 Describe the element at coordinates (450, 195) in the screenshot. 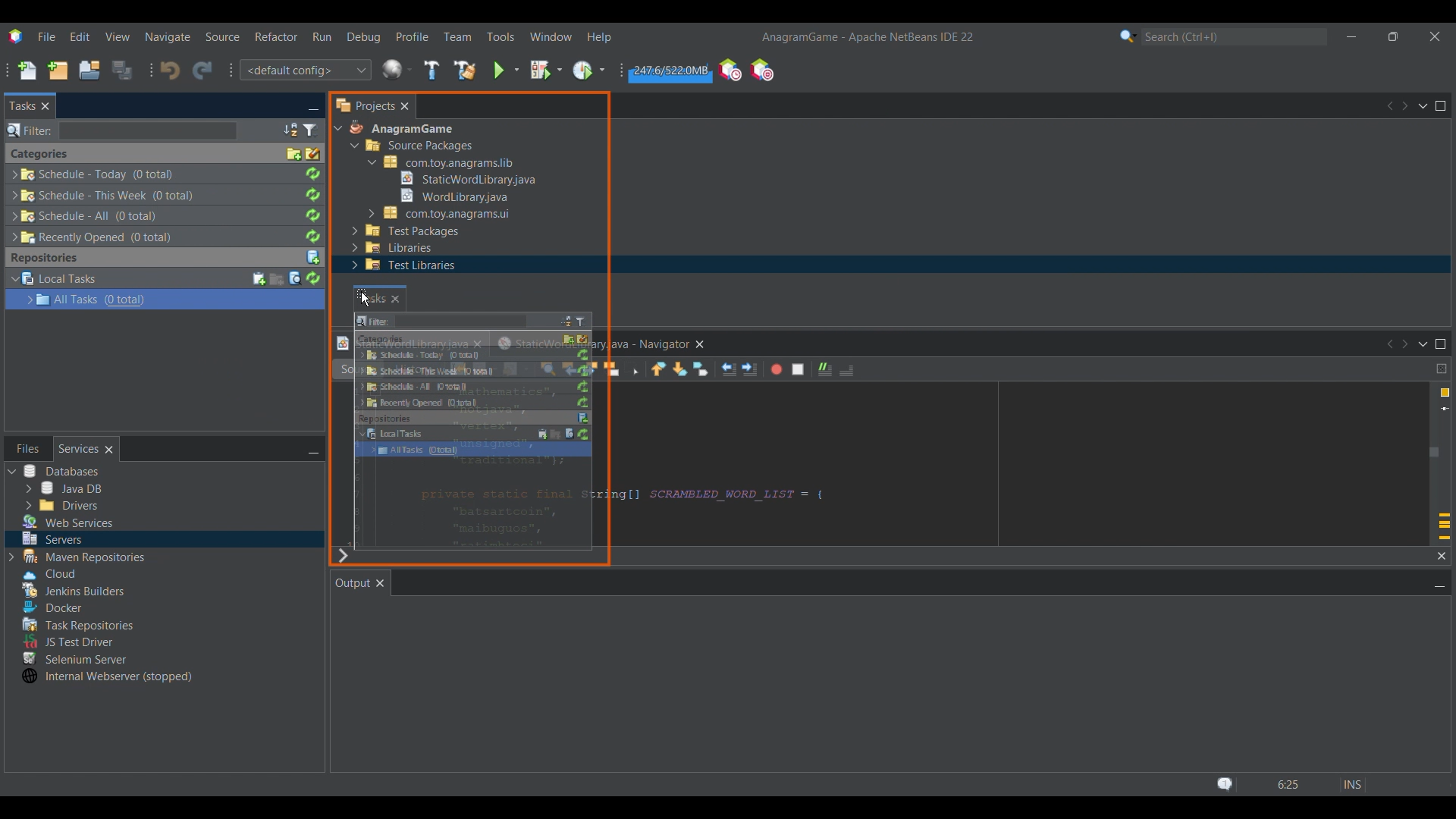

I see `` at that location.